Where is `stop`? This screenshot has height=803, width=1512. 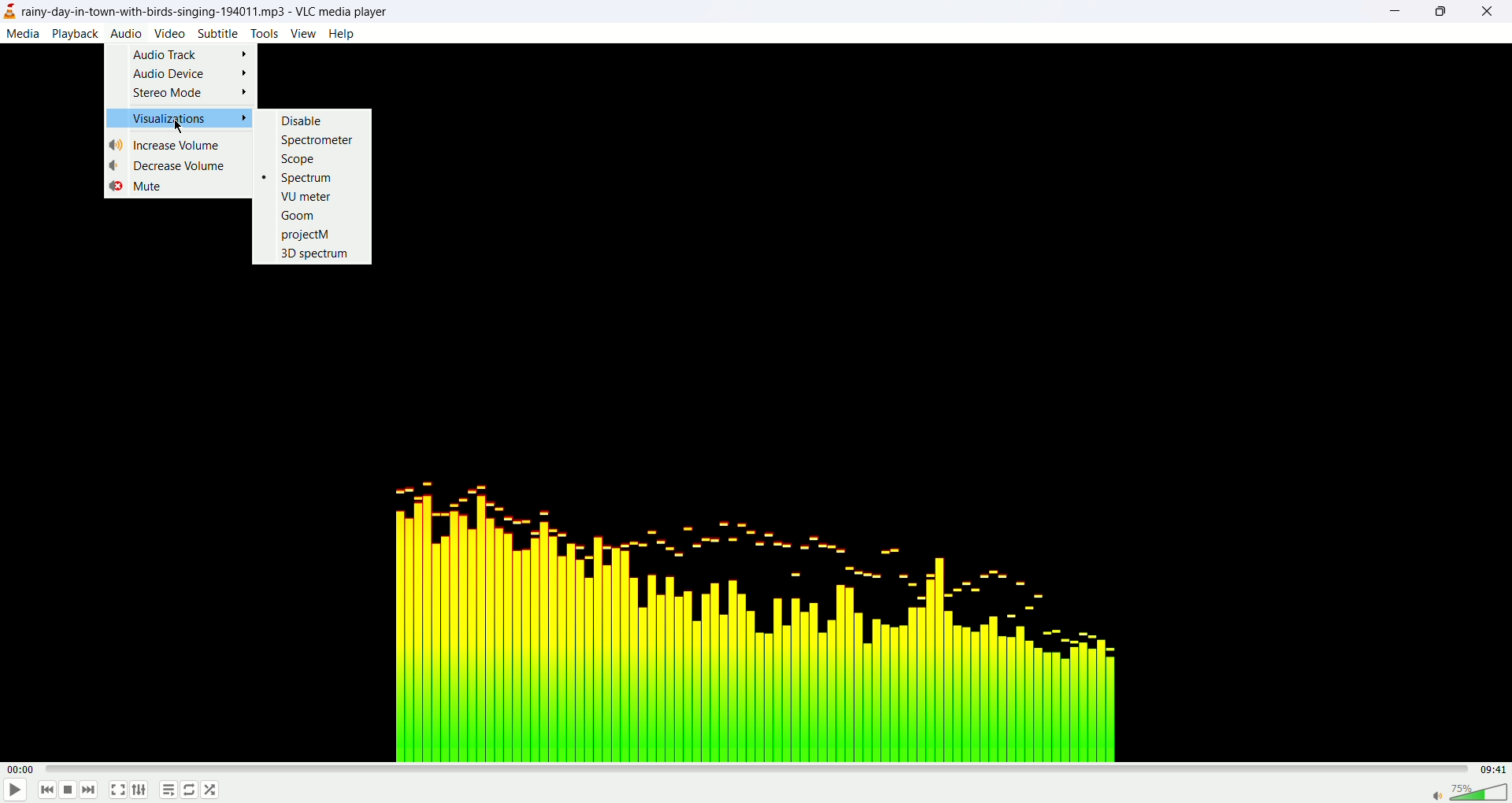 stop is located at coordinates (69, 792).